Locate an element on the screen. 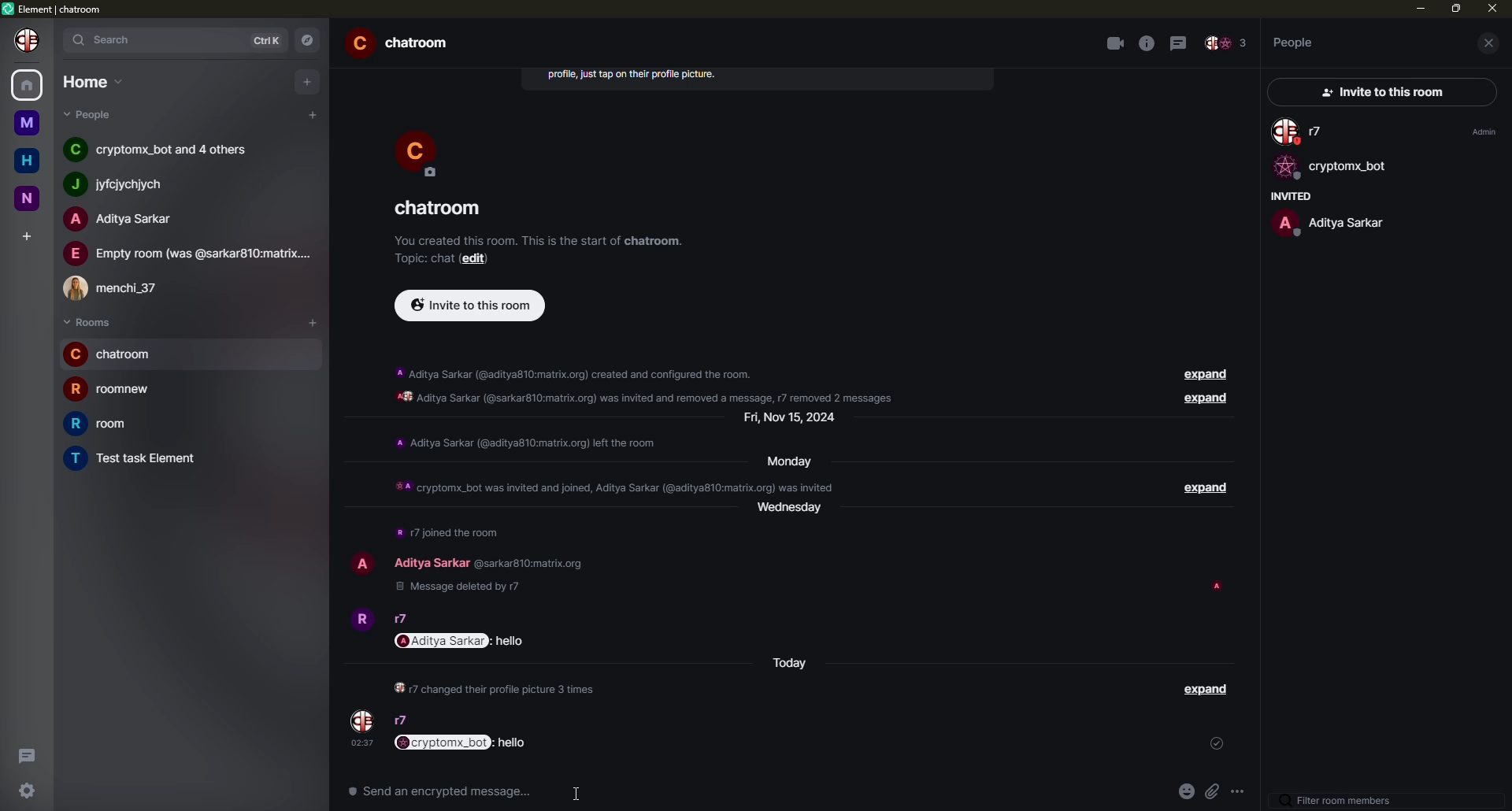 The image size is (1512, 811). add is located at coordinates (28, 235).